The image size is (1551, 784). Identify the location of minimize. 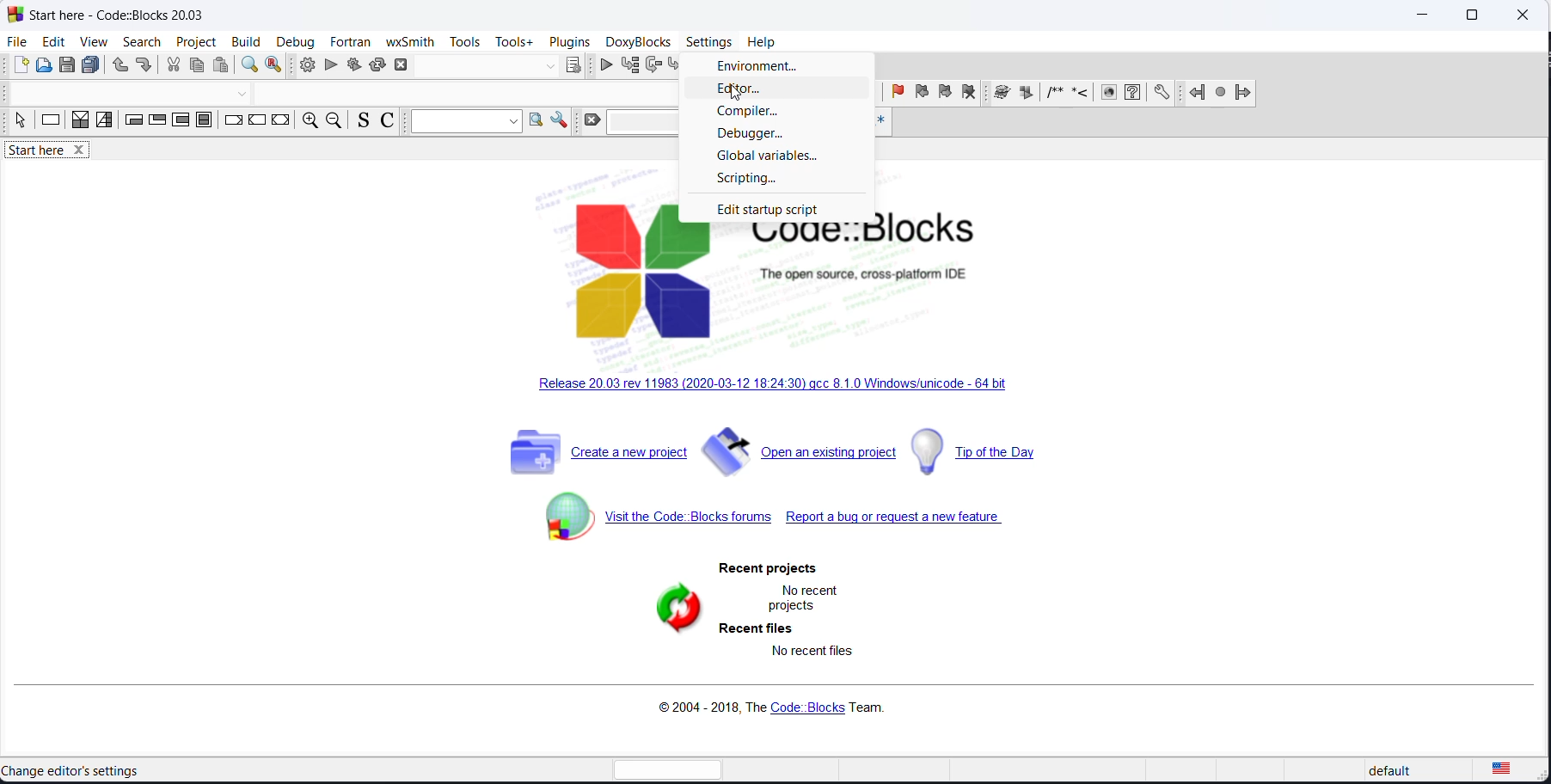
(1419, 17).